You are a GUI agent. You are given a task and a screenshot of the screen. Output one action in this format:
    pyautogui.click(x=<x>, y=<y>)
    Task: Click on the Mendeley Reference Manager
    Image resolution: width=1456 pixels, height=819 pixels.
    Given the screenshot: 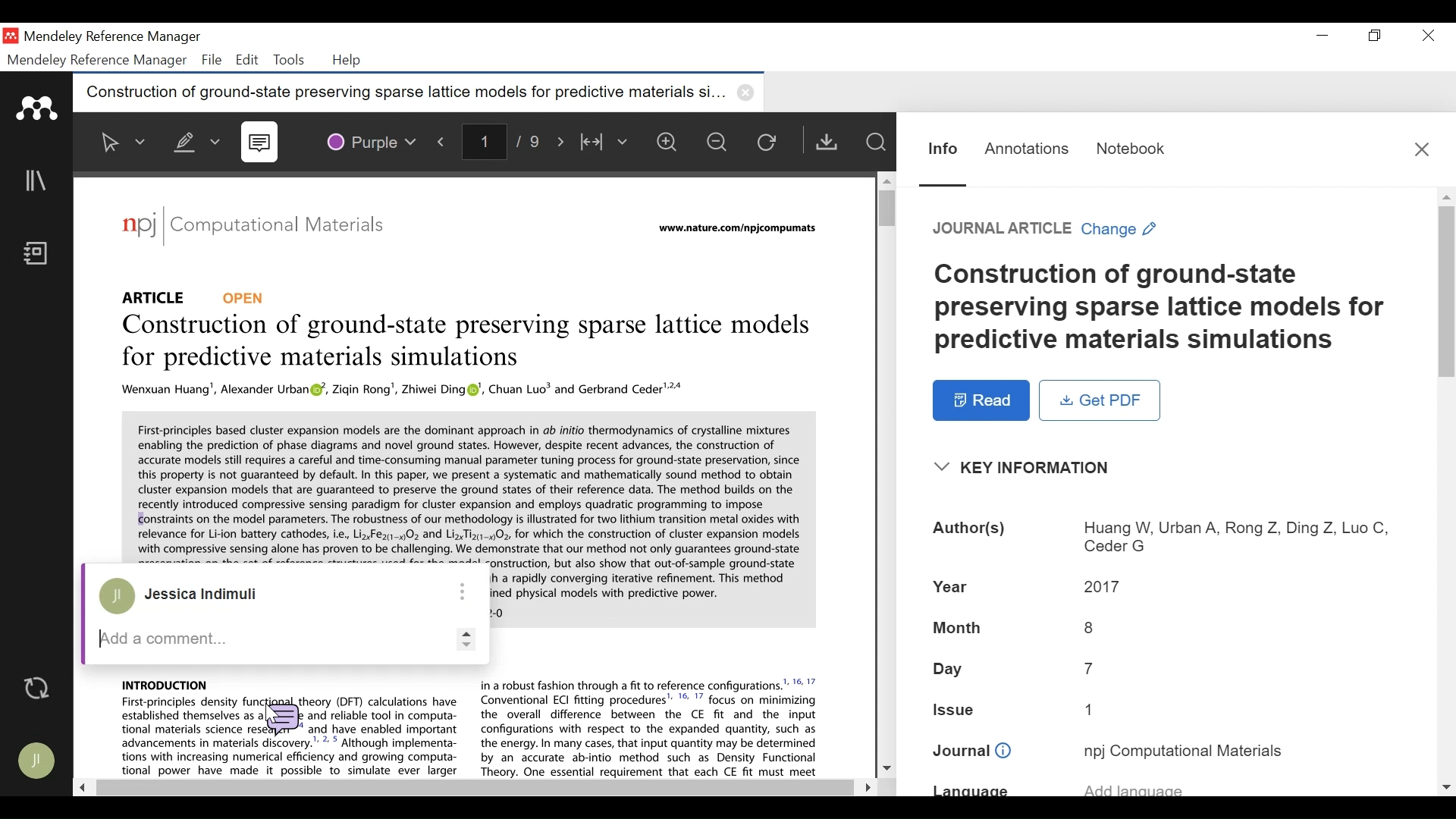 What is the action you would take?
    pyautogui.click(x=113, y=37)
    